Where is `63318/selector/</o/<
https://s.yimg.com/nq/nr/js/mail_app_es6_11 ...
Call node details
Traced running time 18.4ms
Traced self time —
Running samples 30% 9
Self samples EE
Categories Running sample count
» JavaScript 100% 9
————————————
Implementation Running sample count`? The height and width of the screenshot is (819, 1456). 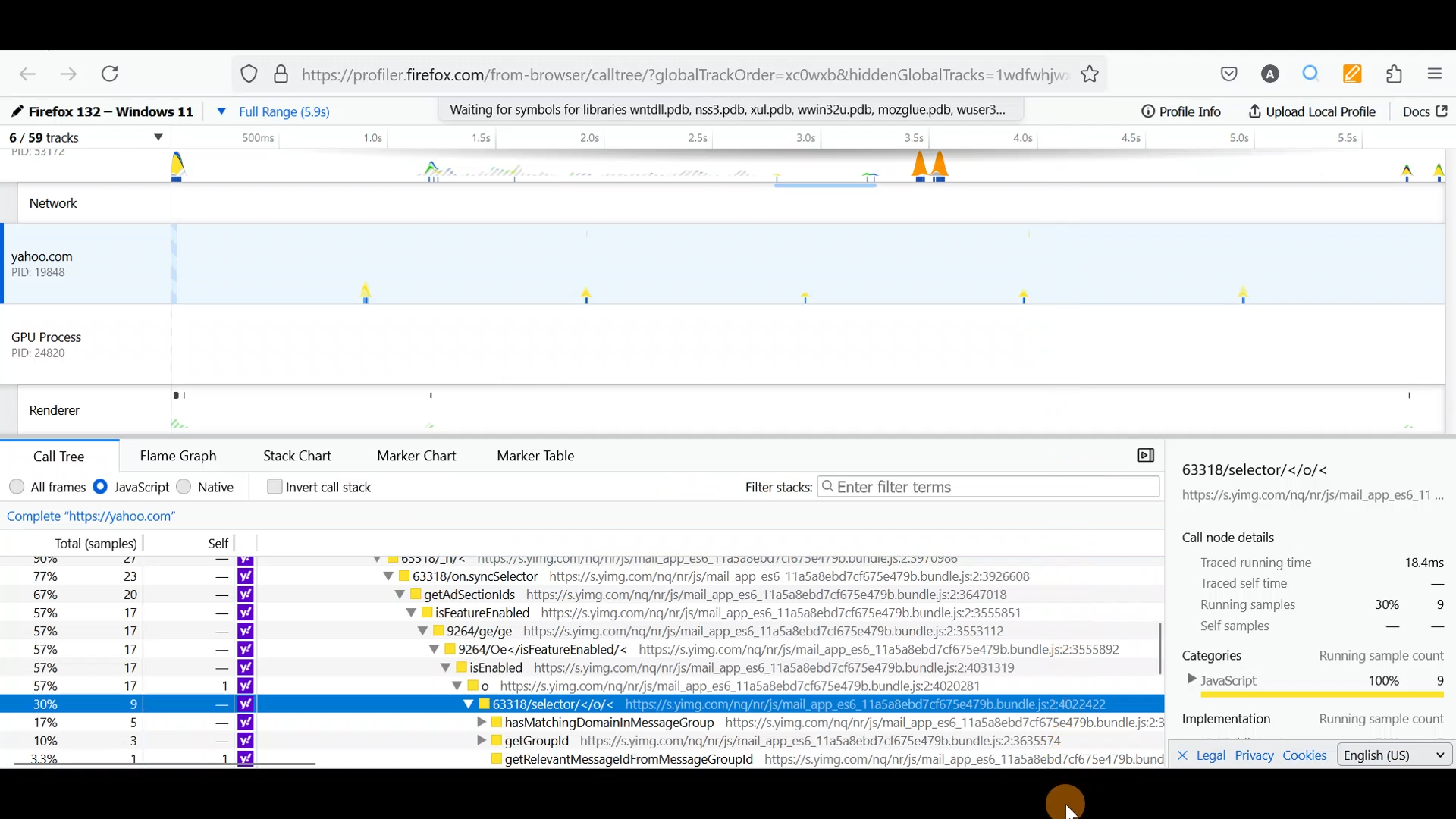 63318/selector/</o/<
https://s.yimg.com/nq/nr/js/mail_app_es6_11 ...
Call node details
Traced running time 18.4ms
Traced self time —
Running samples 30% 9
Self samples EE
Categories Running sample count
» JavaScript 100% 9
————————————
Implementation Running sample count is located at coordinates (1310, 596).